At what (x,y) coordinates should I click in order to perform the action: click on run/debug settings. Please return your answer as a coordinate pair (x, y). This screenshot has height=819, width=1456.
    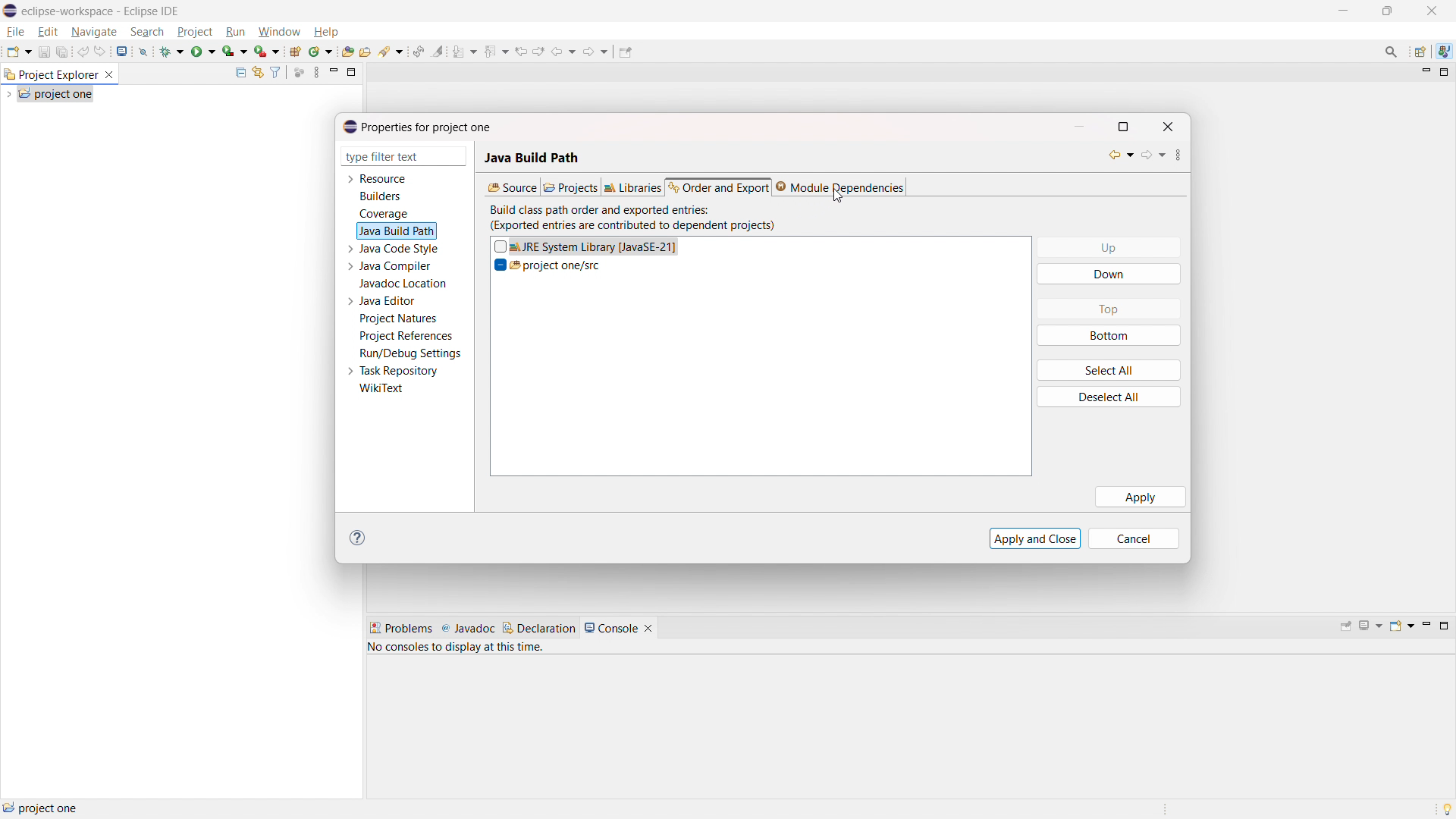
    Looking at the image, I should click on (411, 353).